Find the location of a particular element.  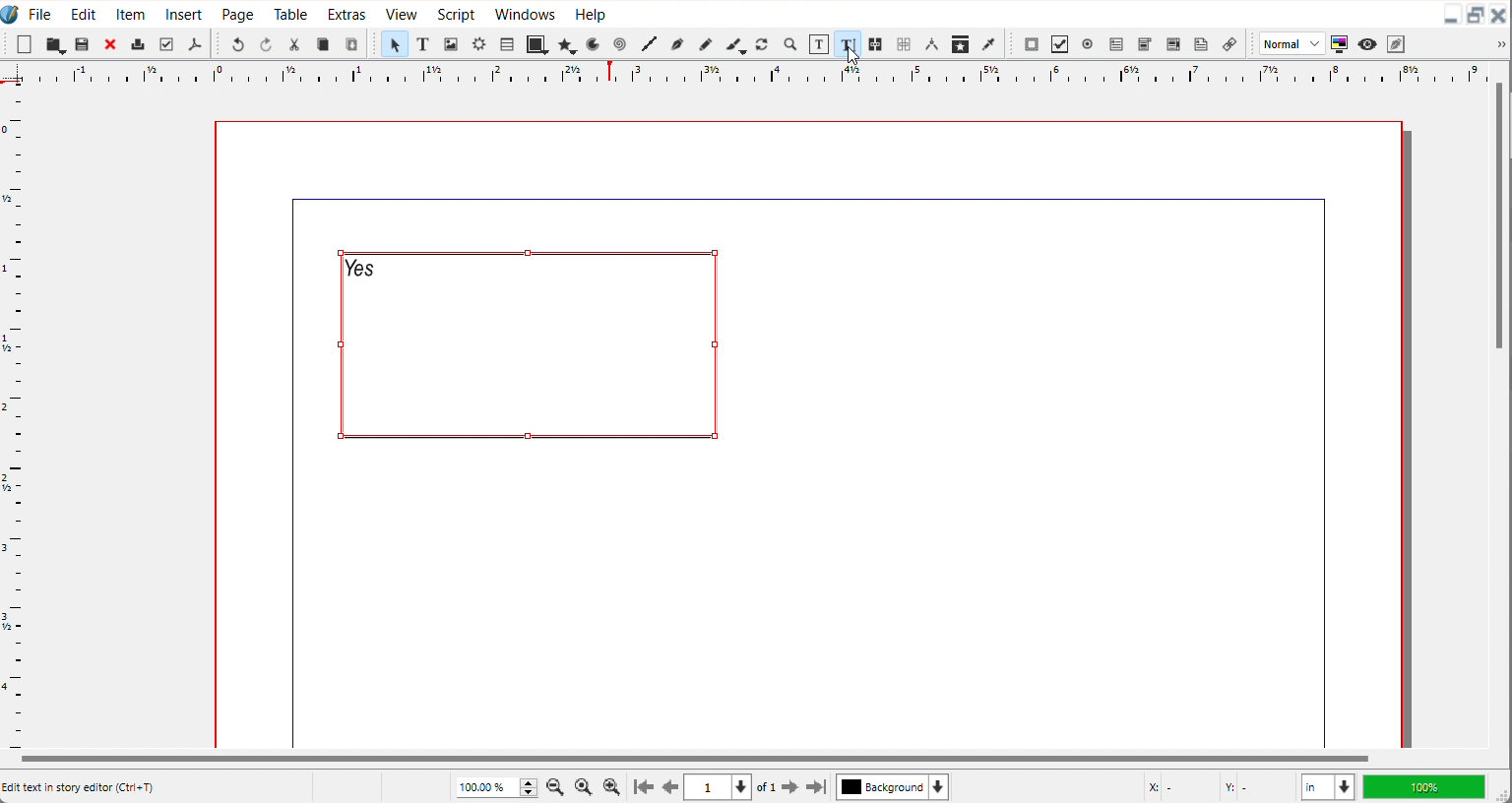

Edit Text is located at coordinates (849, 45).